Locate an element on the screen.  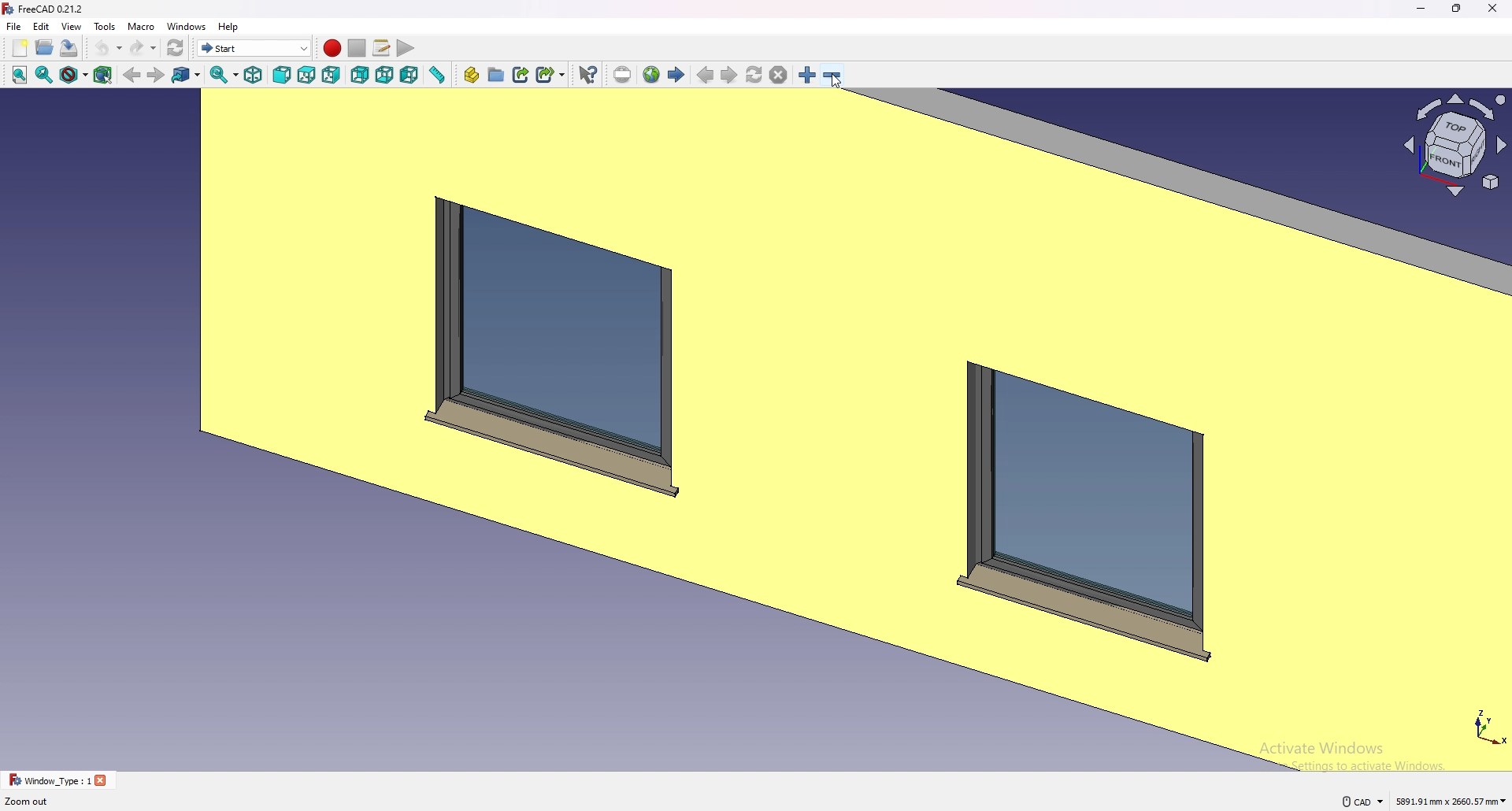
make sub link is located at coordinates (551, 75).